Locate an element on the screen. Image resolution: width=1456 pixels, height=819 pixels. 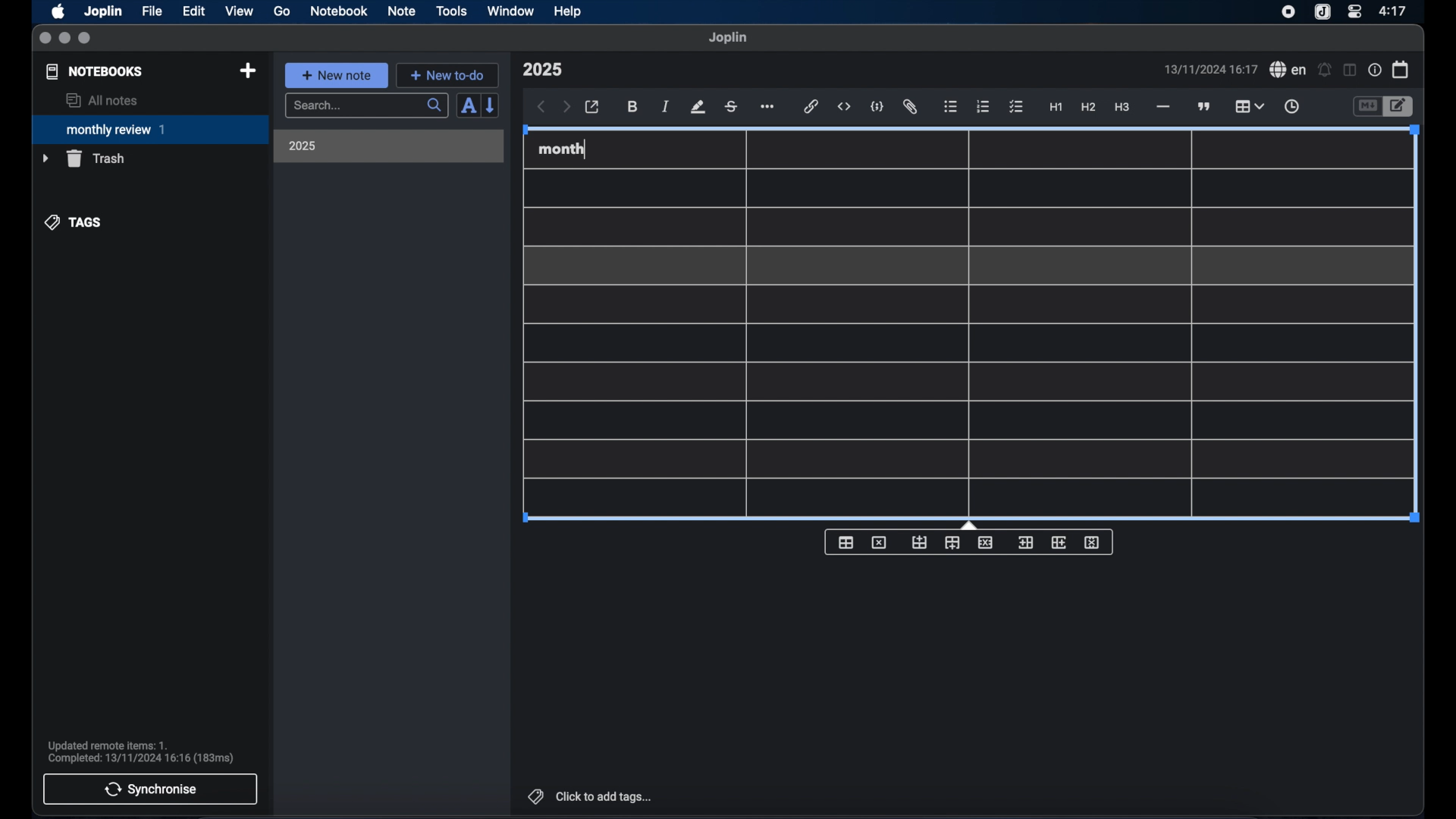
toggle editor is located at coordinates (1367, 107).